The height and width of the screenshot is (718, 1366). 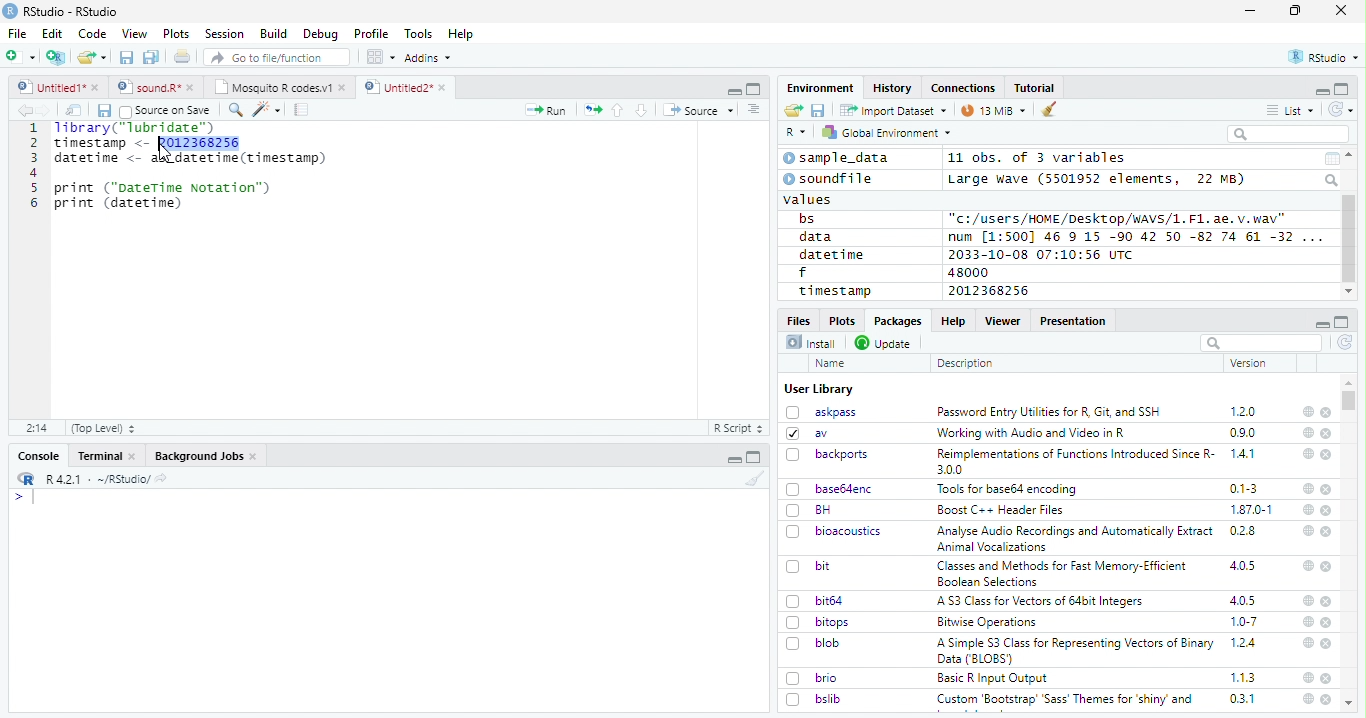 What do you see at coordinates (1342, 109) in the screenshot?
I see `Refresh` at bounding box center [1342, 109].